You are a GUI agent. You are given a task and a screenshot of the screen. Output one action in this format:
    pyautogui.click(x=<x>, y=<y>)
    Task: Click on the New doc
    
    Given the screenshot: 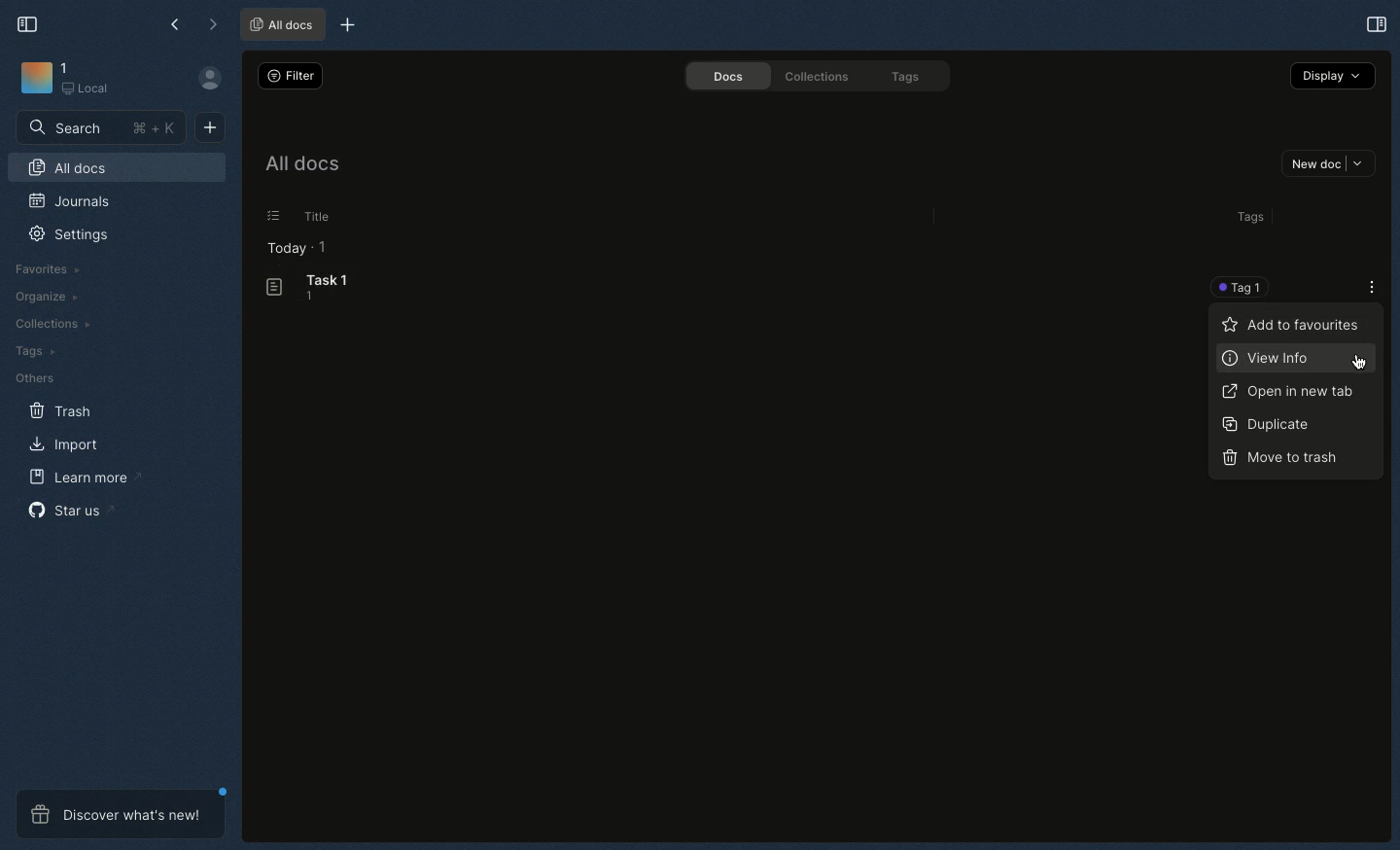 What is the action you would take?
    pyautogui.click(x=1328, y=163)
    